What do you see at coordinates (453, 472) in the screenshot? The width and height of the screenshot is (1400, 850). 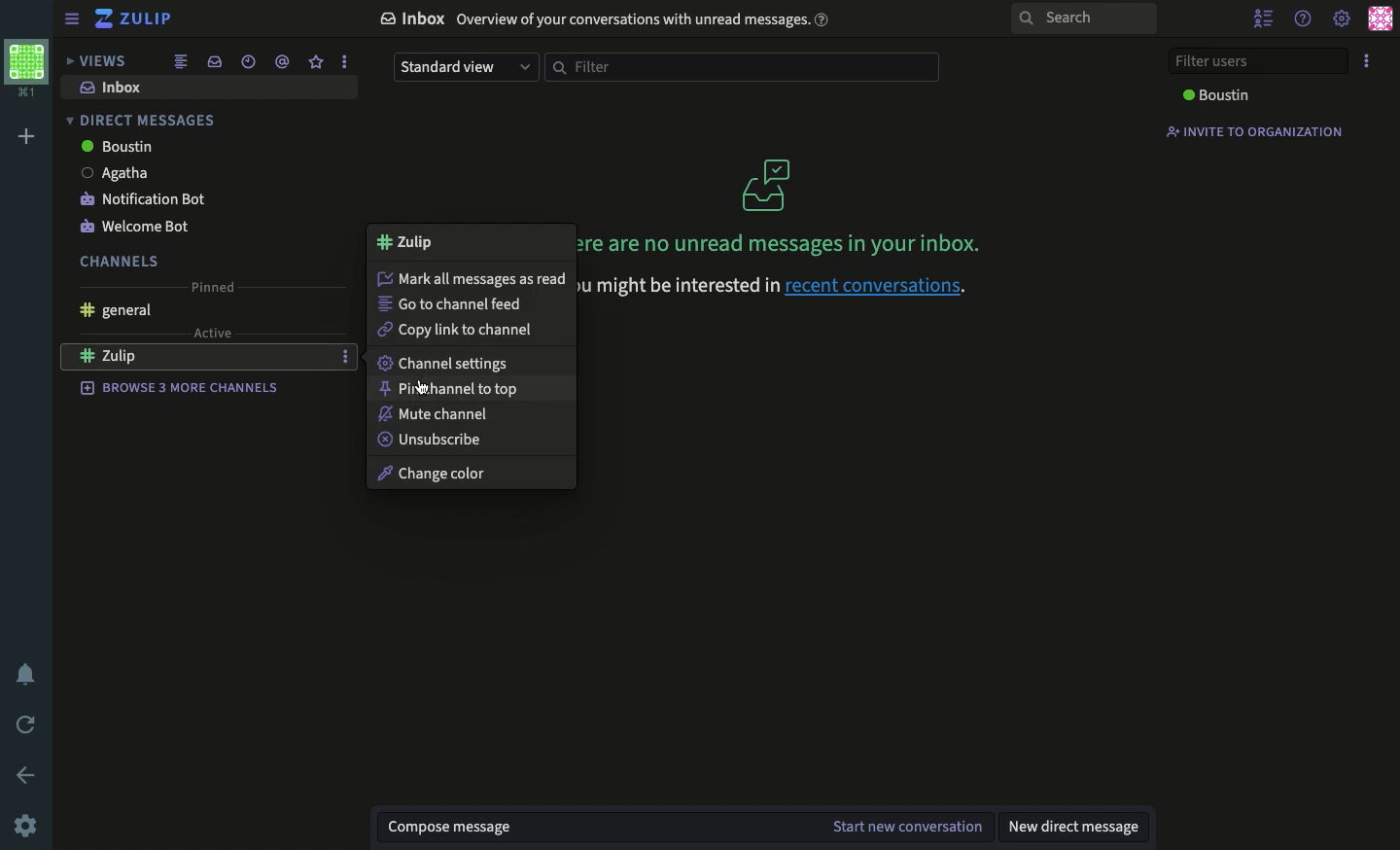 I see `change color` at bounding box center [453, 472].